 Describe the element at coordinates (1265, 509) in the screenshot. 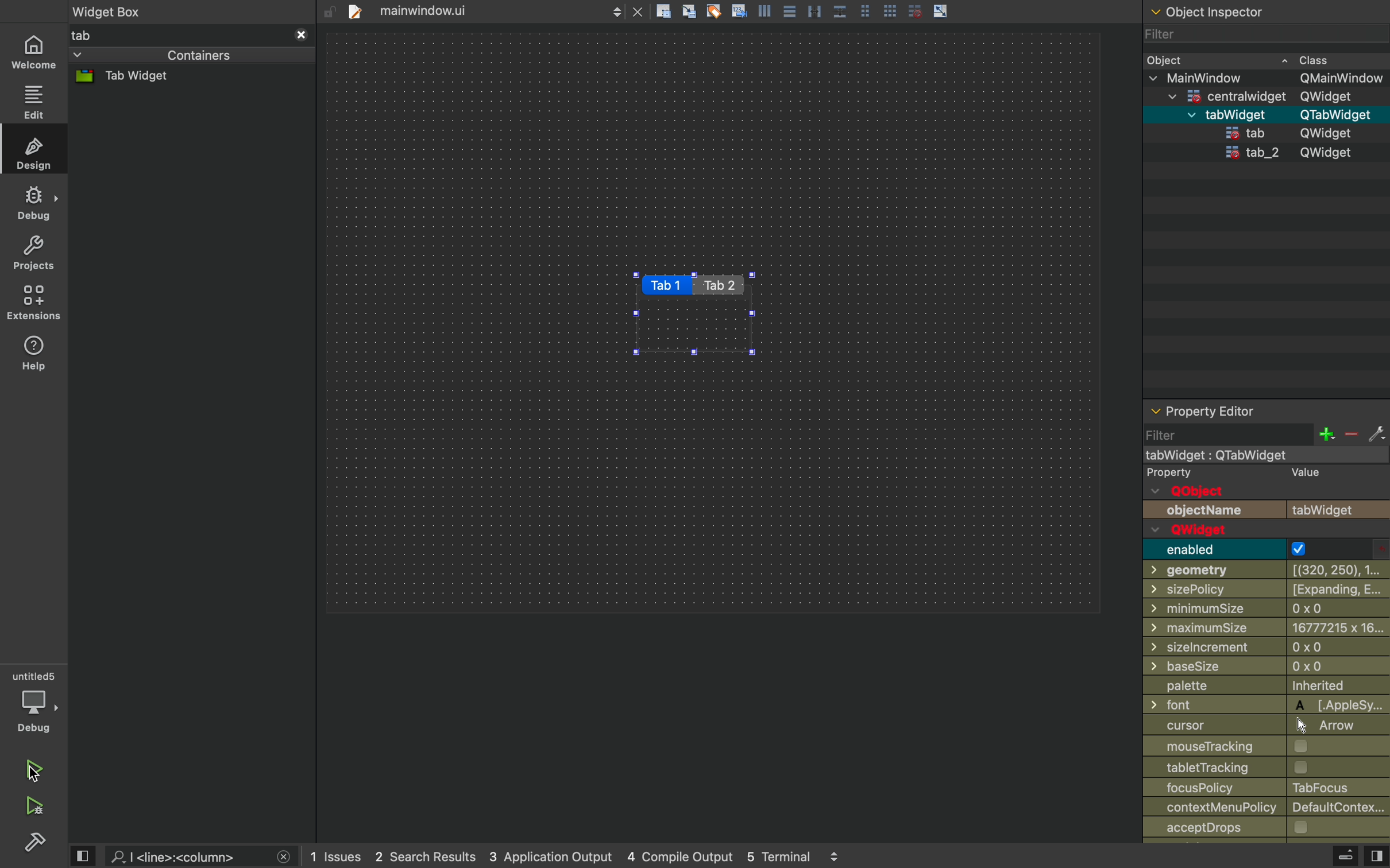

I see `objectname` at that location.